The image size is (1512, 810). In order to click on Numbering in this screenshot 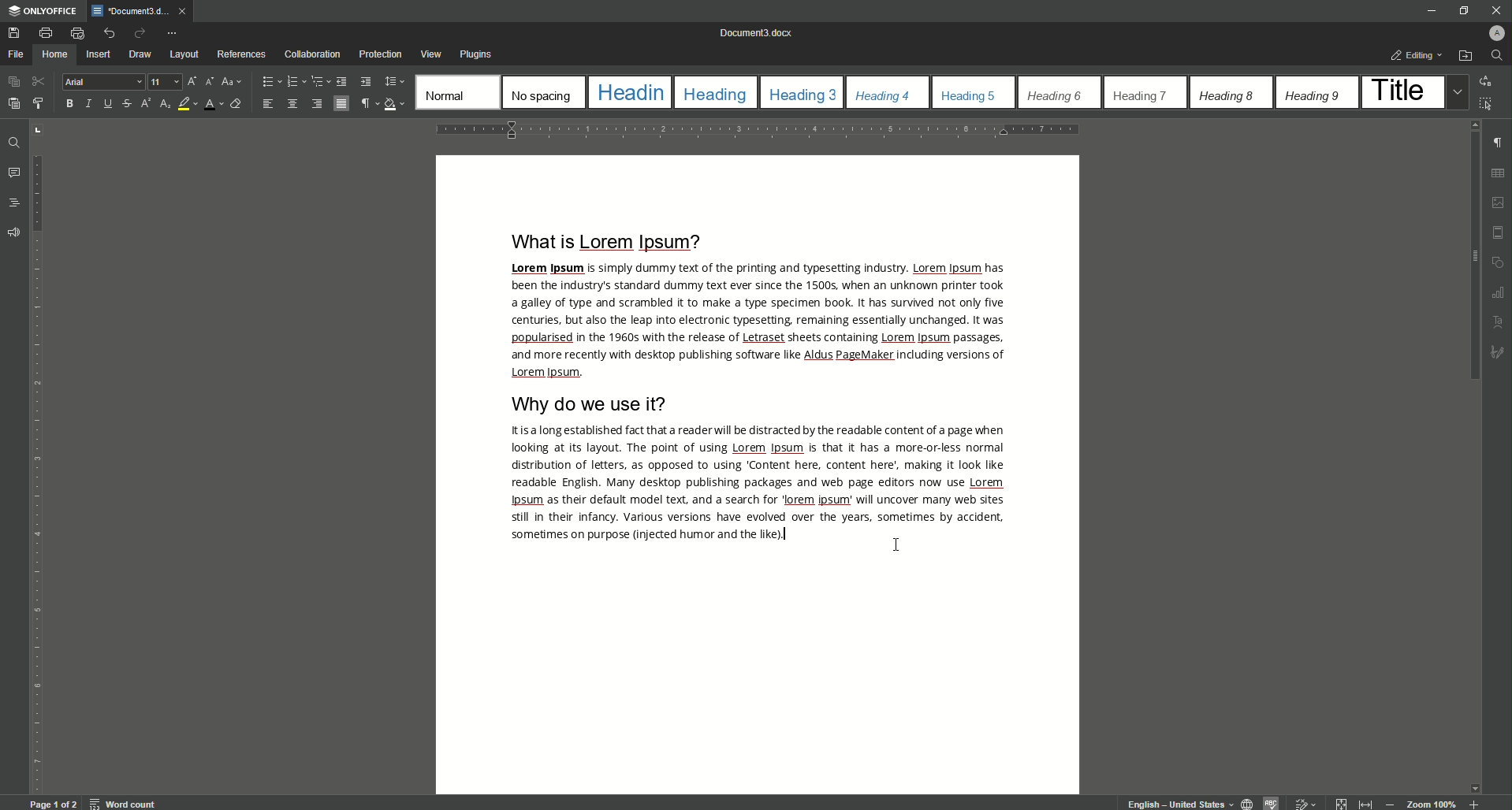, I will do `click(292, 82)`.